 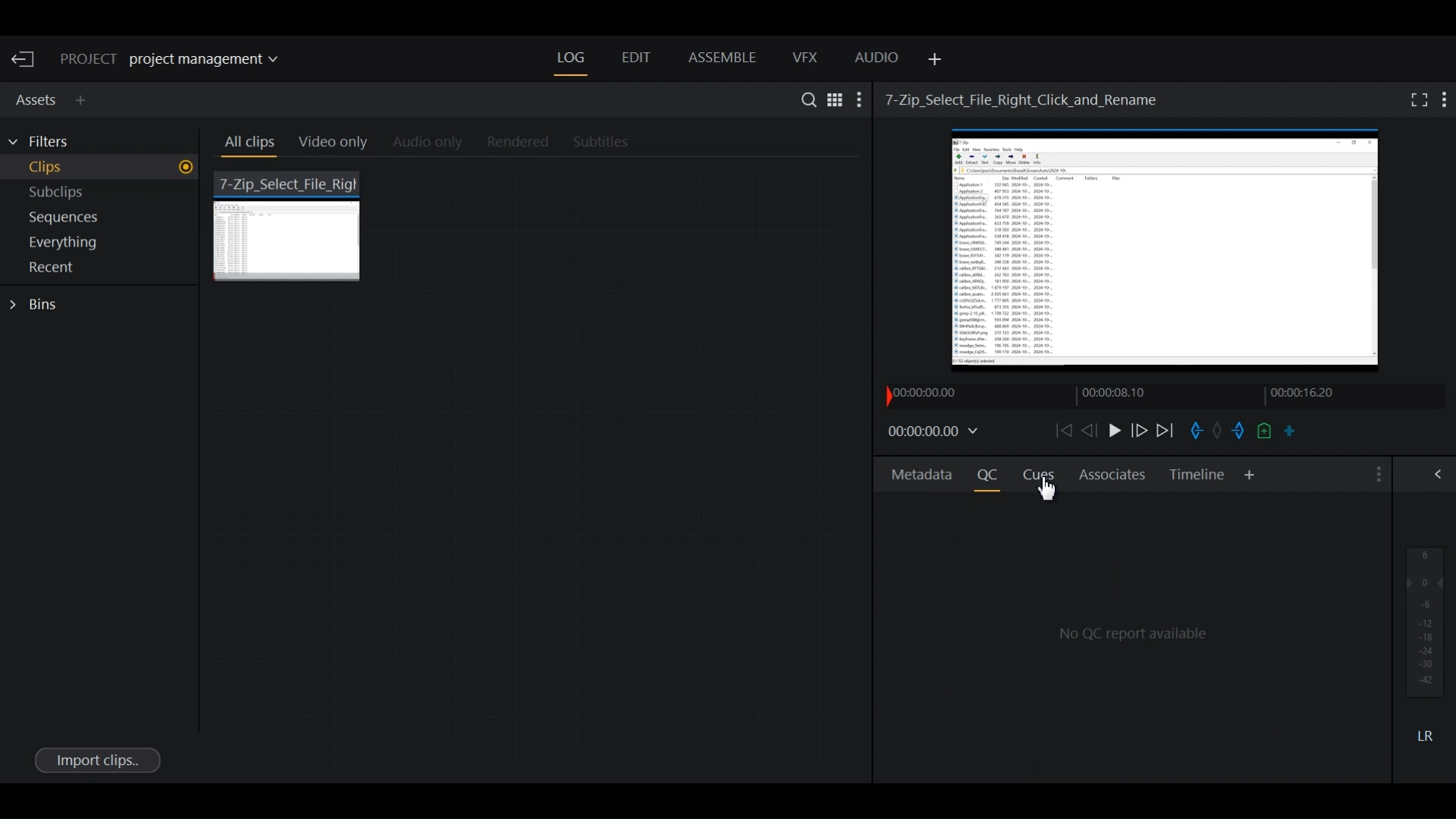 I want to click on Audio output levels, so click(x=1425, y=621).